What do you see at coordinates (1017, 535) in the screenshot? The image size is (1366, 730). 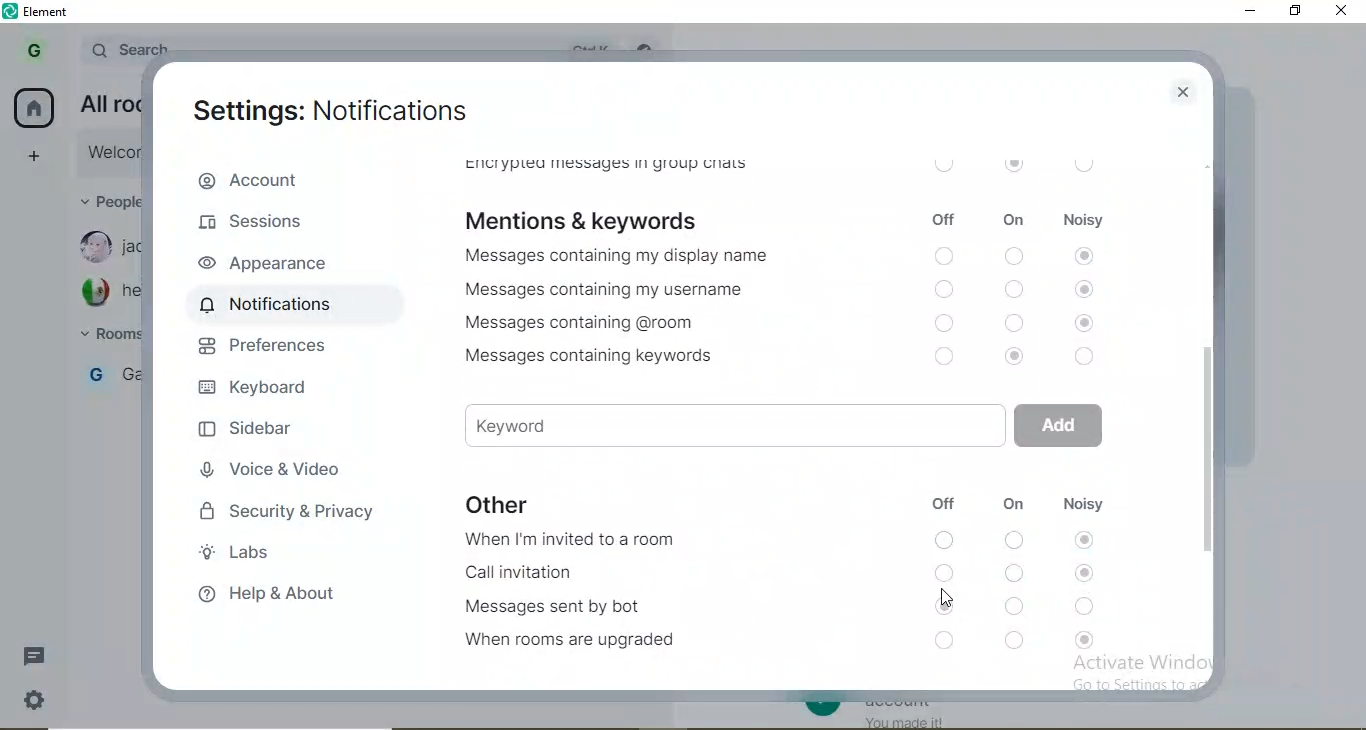 I see `switch on` at bounding box center [1017, 535].